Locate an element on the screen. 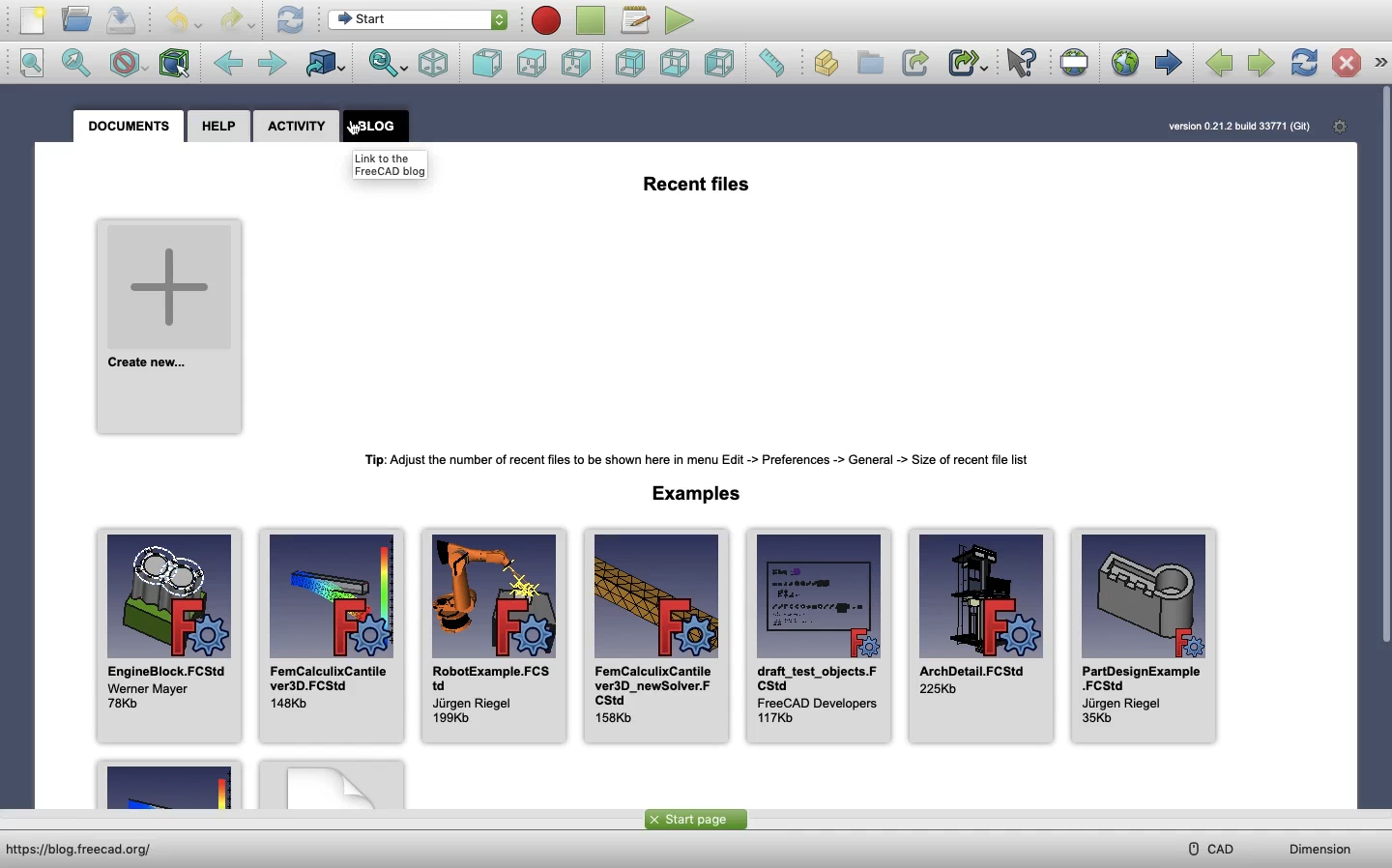 Image resolution: width=1392 pixels, height=868 pixels. Dimensions is located at coordinates (1319, 849).